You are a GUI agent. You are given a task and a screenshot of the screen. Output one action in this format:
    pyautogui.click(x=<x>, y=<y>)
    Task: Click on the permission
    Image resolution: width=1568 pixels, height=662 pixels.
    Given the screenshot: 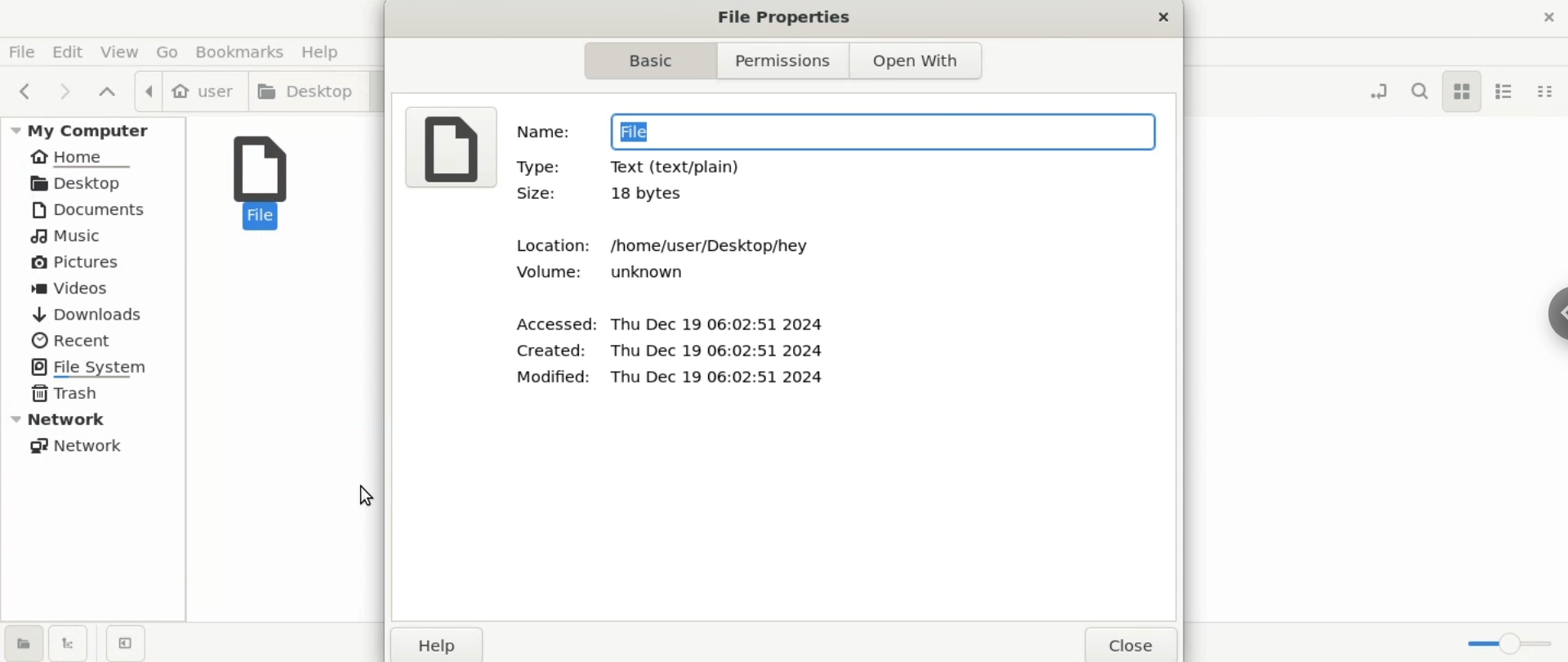 What is the action you would take?
    pyautogui.click(x=786, y=59)
    